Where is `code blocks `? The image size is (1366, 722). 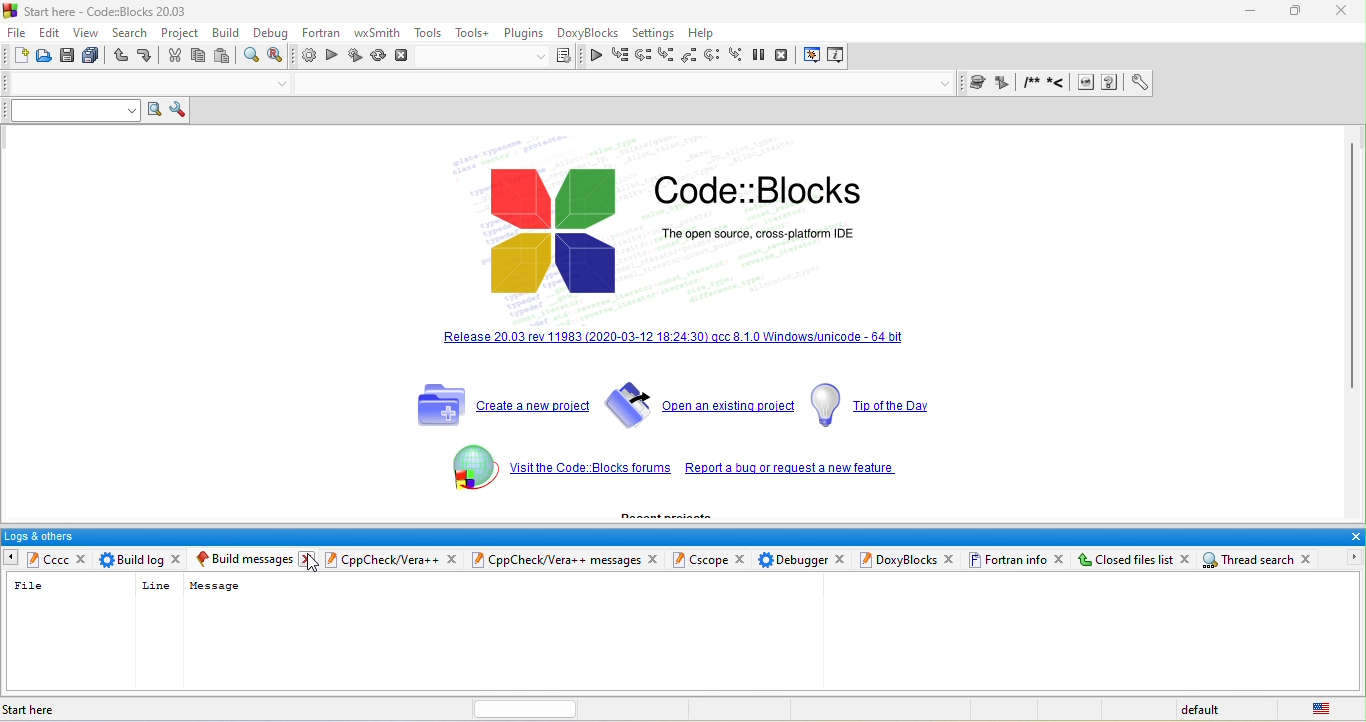
code blocks  is located at coordinates (758, 191).